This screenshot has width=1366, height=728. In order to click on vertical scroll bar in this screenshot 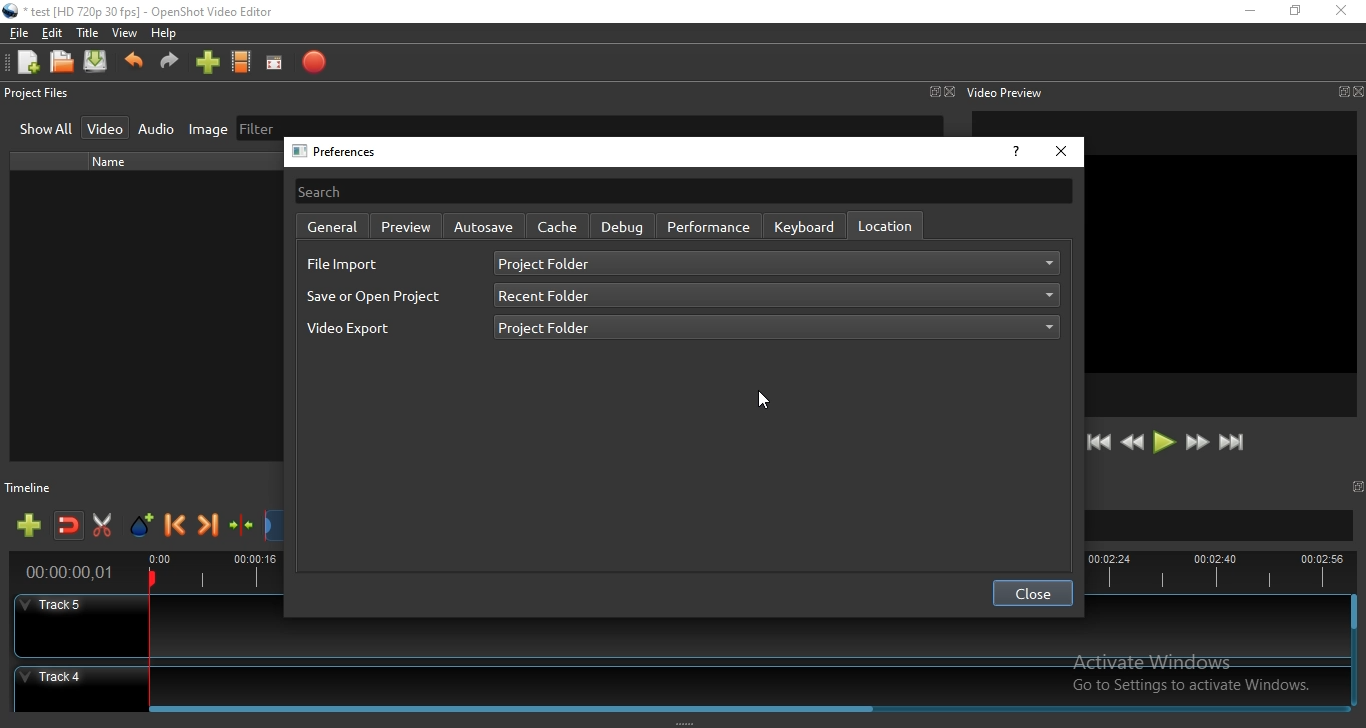, I will do `click(1354, 615)`.